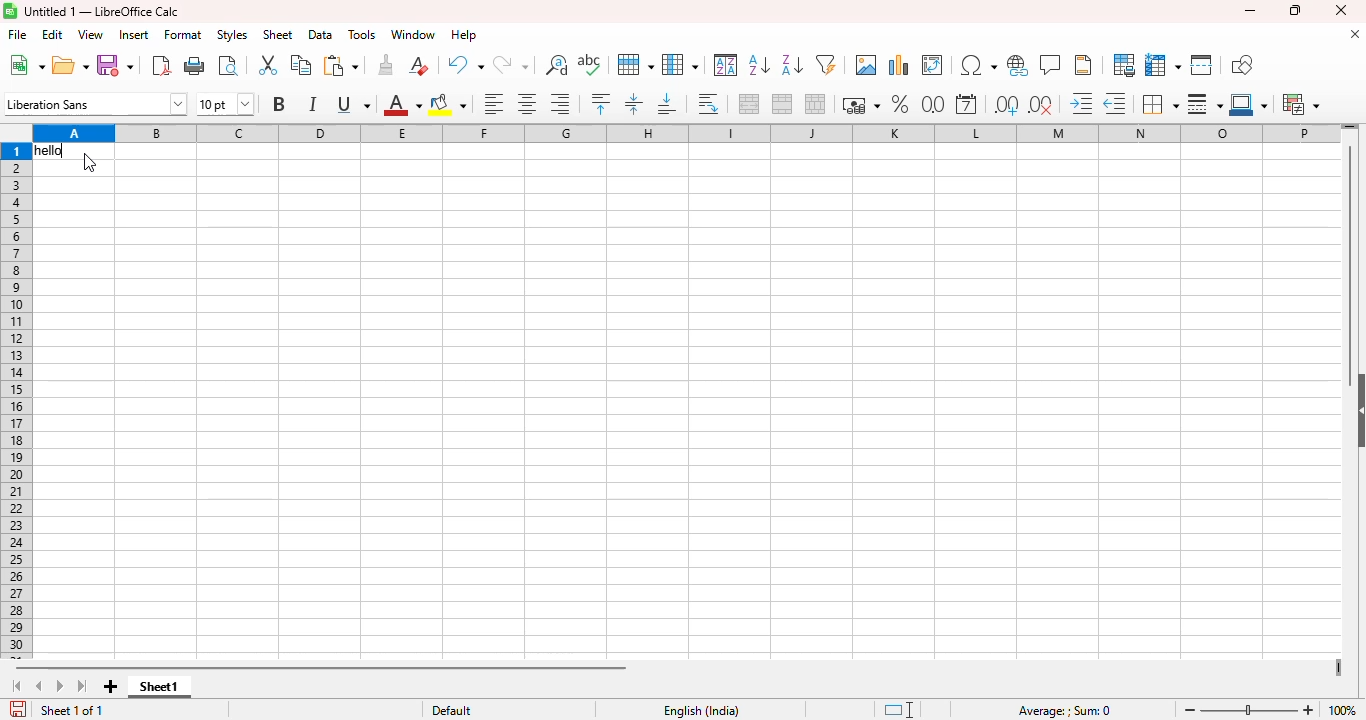 This screenshot has height=720, width=1366. Describe the element at coordinates (635, 64) in the screenshot. I see `row` at that location.